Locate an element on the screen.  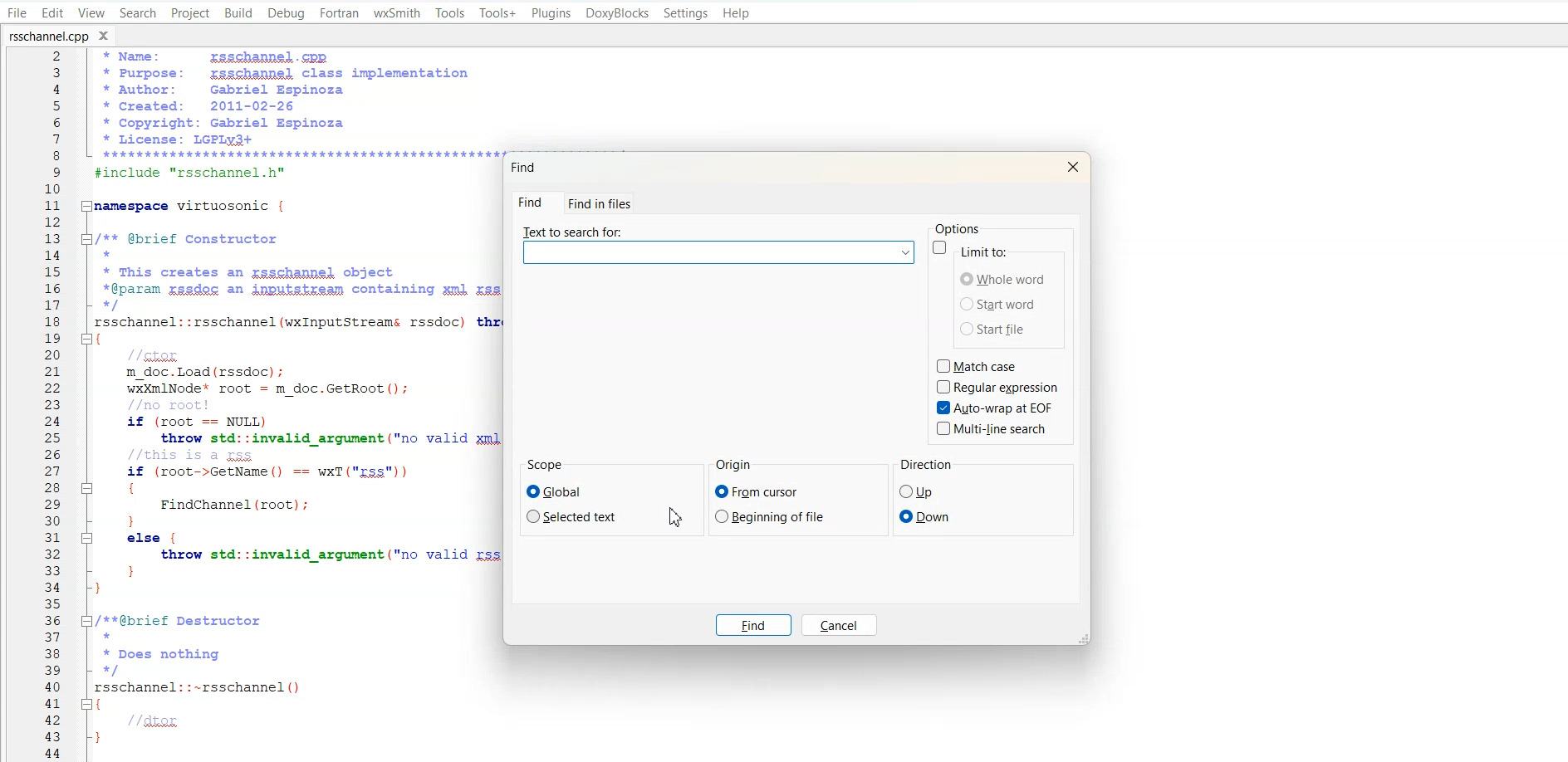
Collapse is located at coordinates (89, 205).